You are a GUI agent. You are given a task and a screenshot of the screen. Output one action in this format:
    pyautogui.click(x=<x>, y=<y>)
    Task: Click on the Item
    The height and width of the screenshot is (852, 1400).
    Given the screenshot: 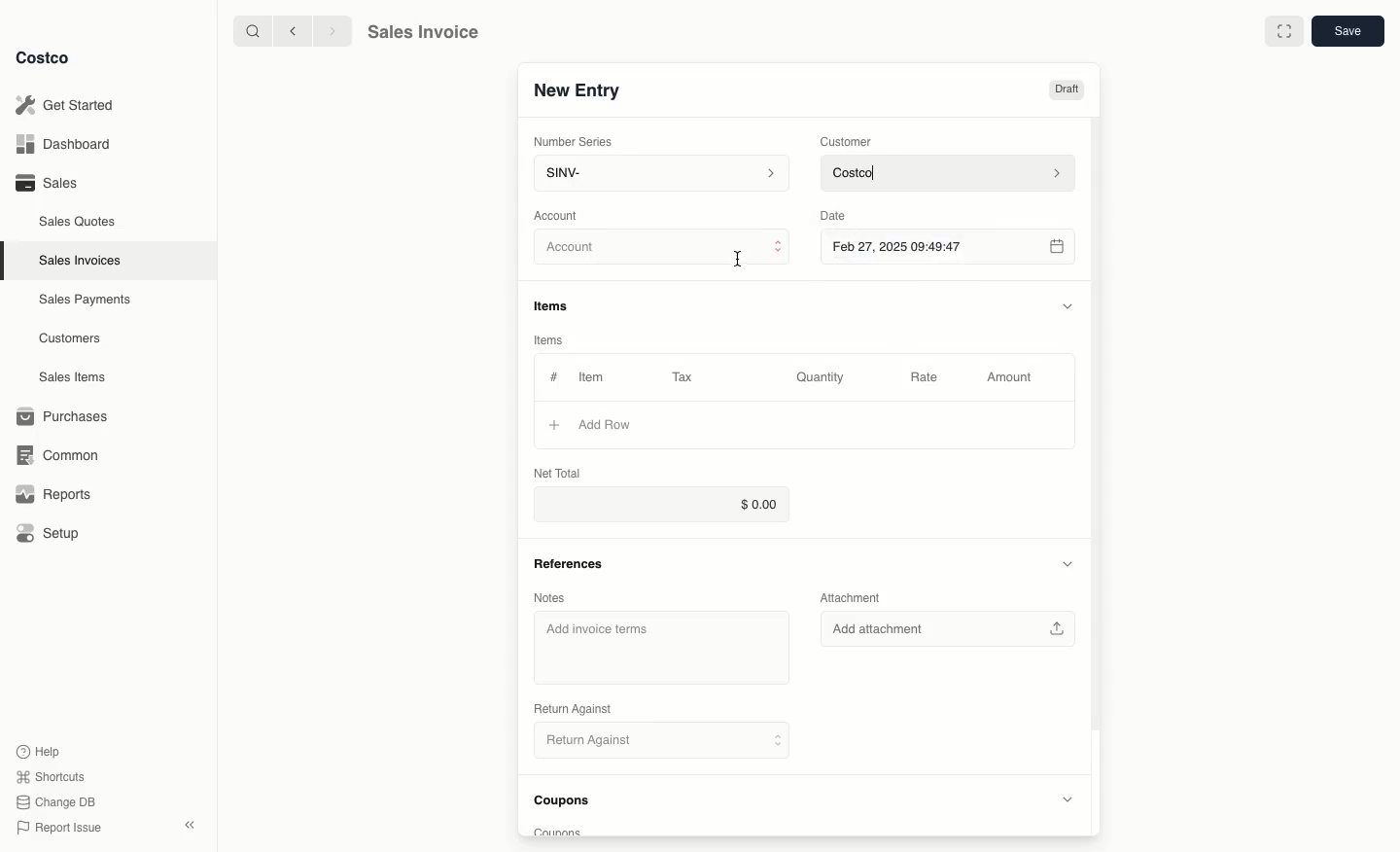 What is the action you would take?
    pyautogui.click(x=593, y=376)
    